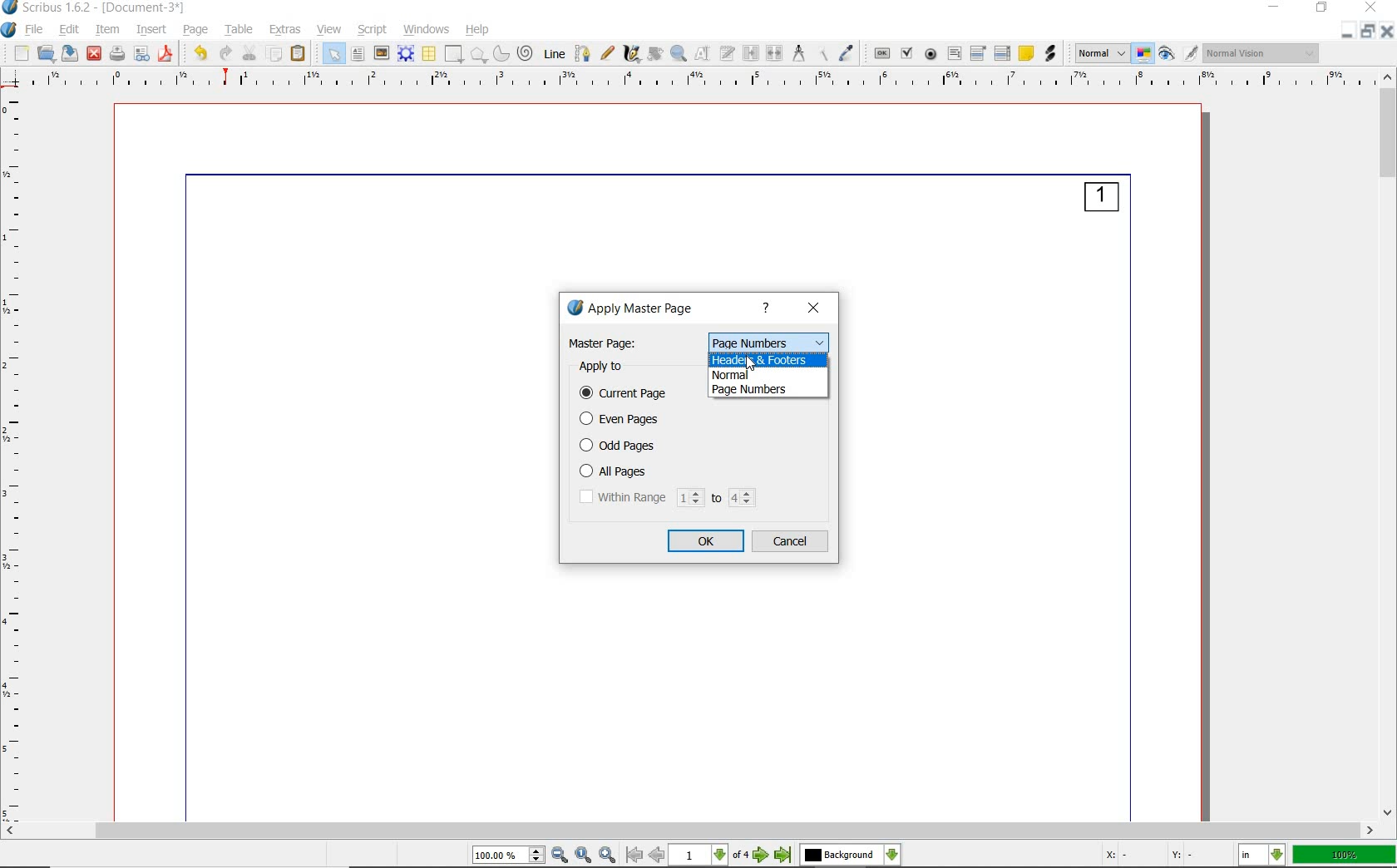  What do you see at coordinates (690, 831) in the screenshot?
I see `scrollbar` at bounding box center [690, 831].